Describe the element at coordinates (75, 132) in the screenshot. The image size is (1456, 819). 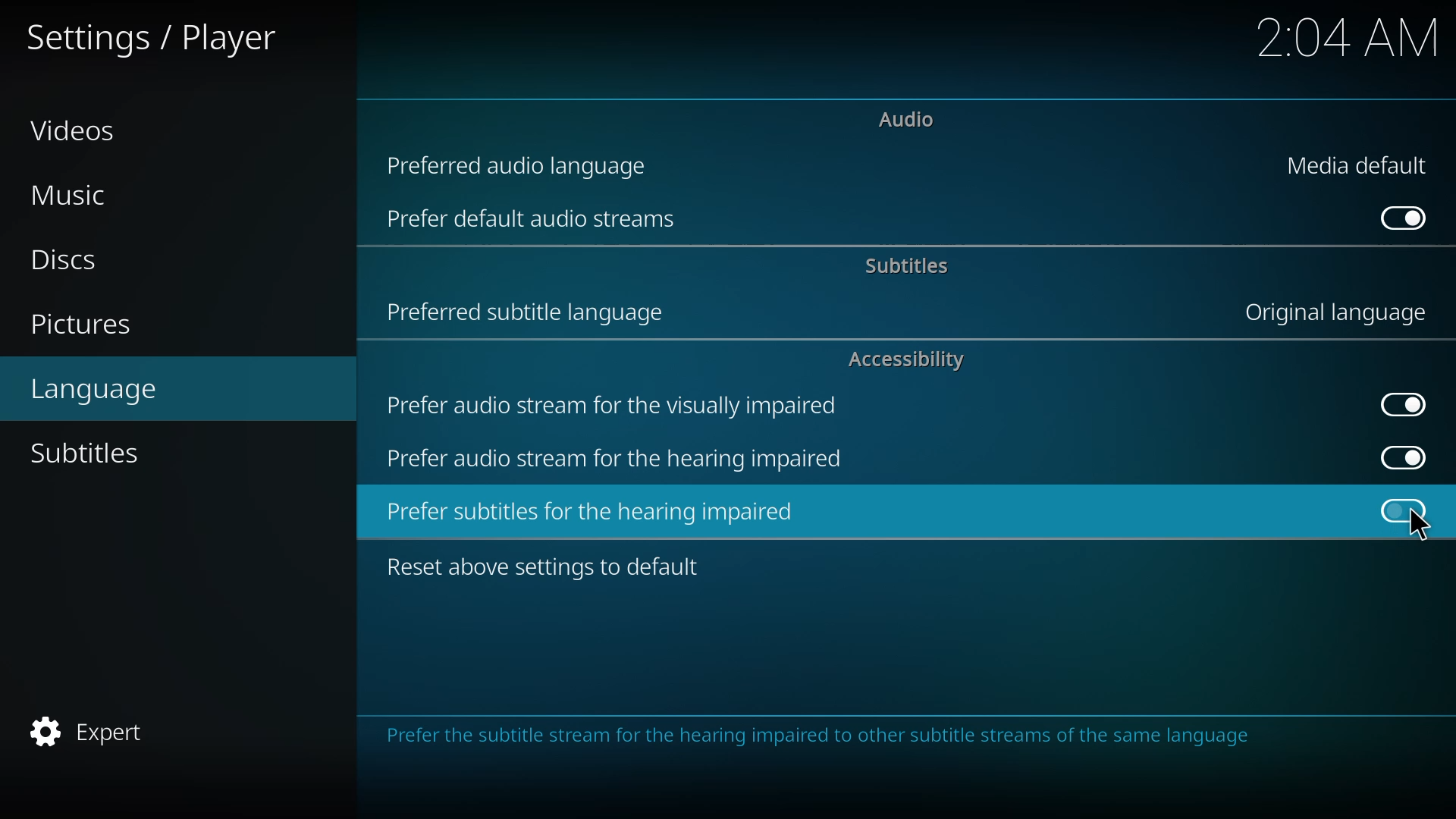
I see `videos` at that location.